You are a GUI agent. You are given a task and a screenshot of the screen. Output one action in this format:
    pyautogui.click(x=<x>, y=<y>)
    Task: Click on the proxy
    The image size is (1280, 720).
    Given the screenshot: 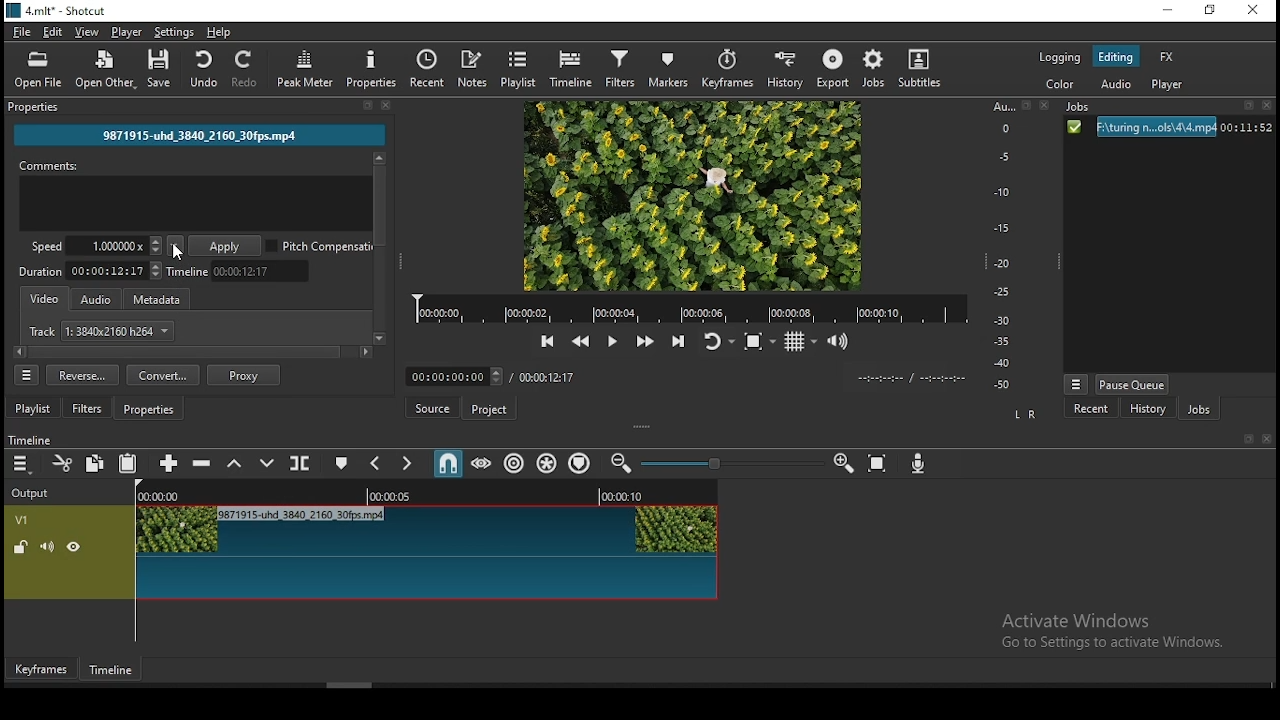 What is the action you would take?
    pyautogui.click(x=243, y=376)
    